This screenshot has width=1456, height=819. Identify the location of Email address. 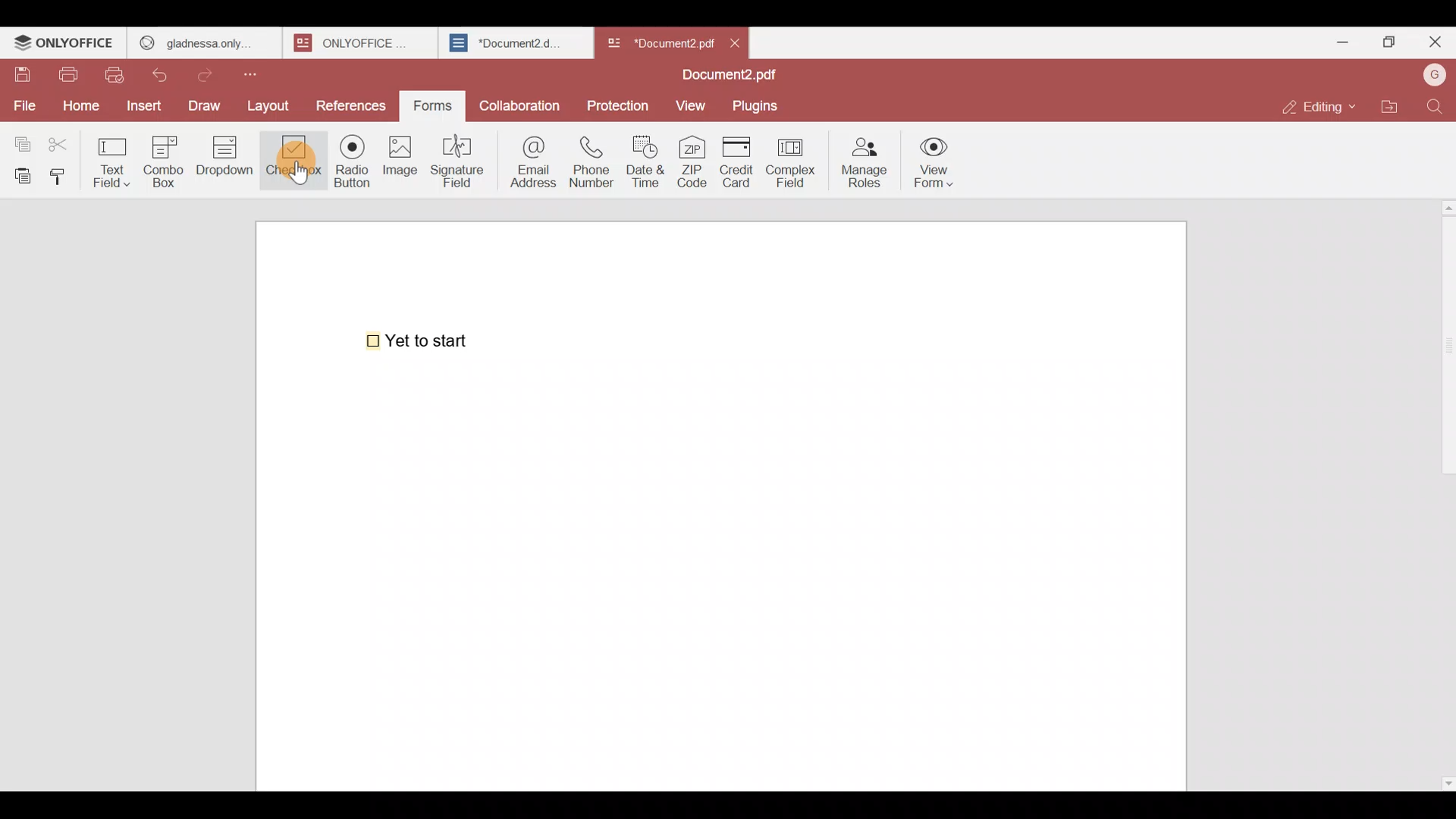
(530, 160).